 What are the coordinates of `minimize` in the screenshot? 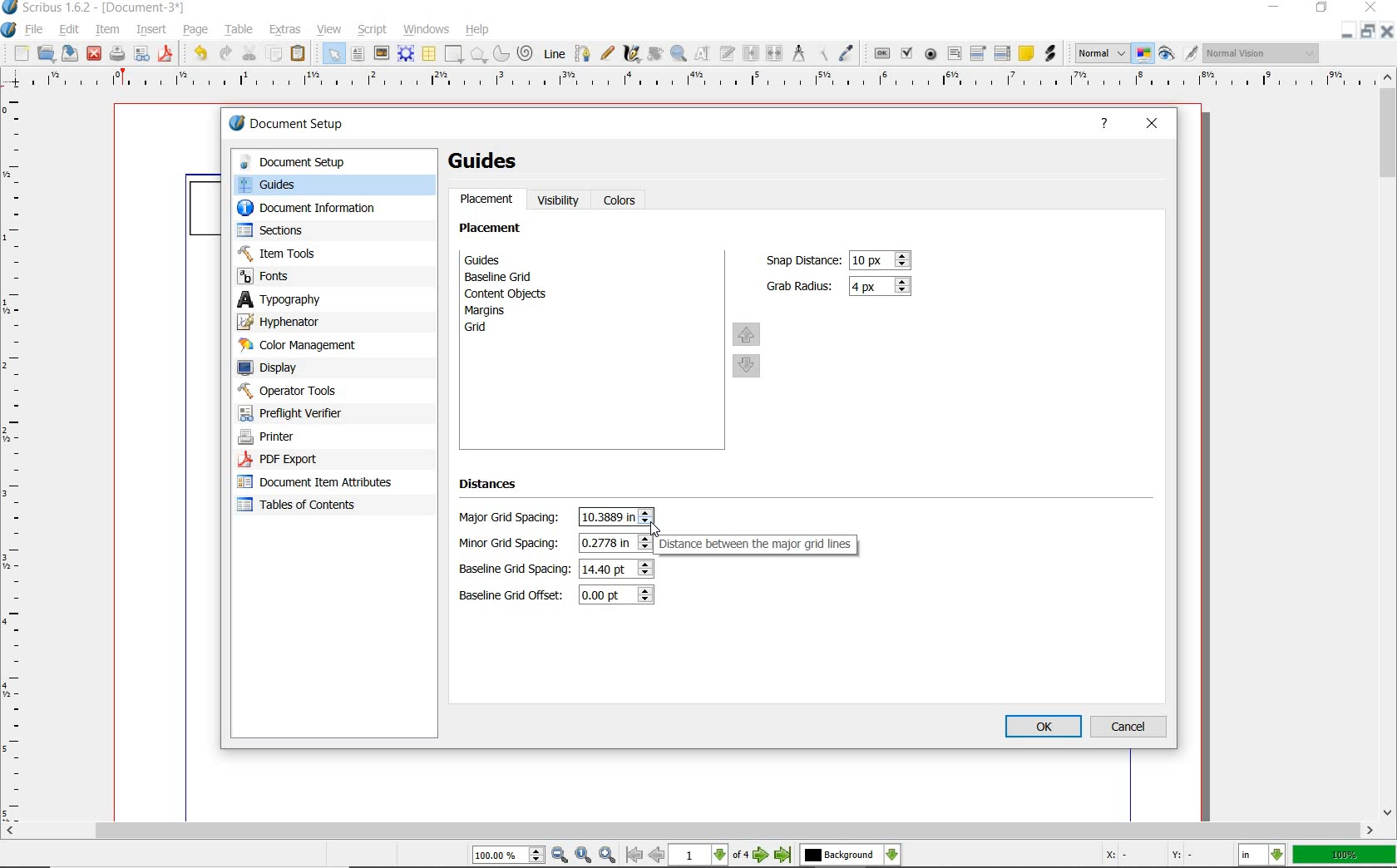 It's located at (1349, 31).